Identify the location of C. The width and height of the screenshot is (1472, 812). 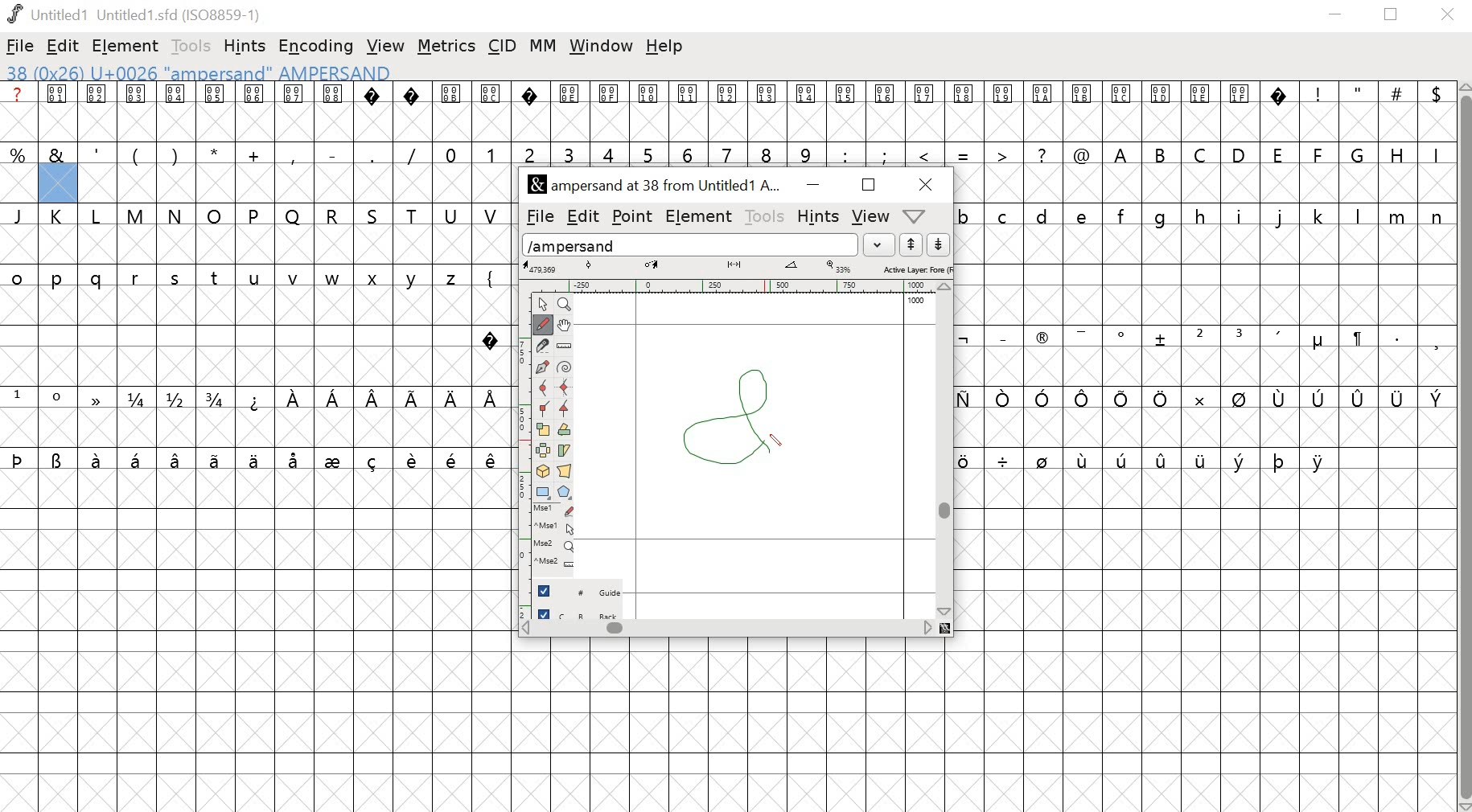
(1203, 154).